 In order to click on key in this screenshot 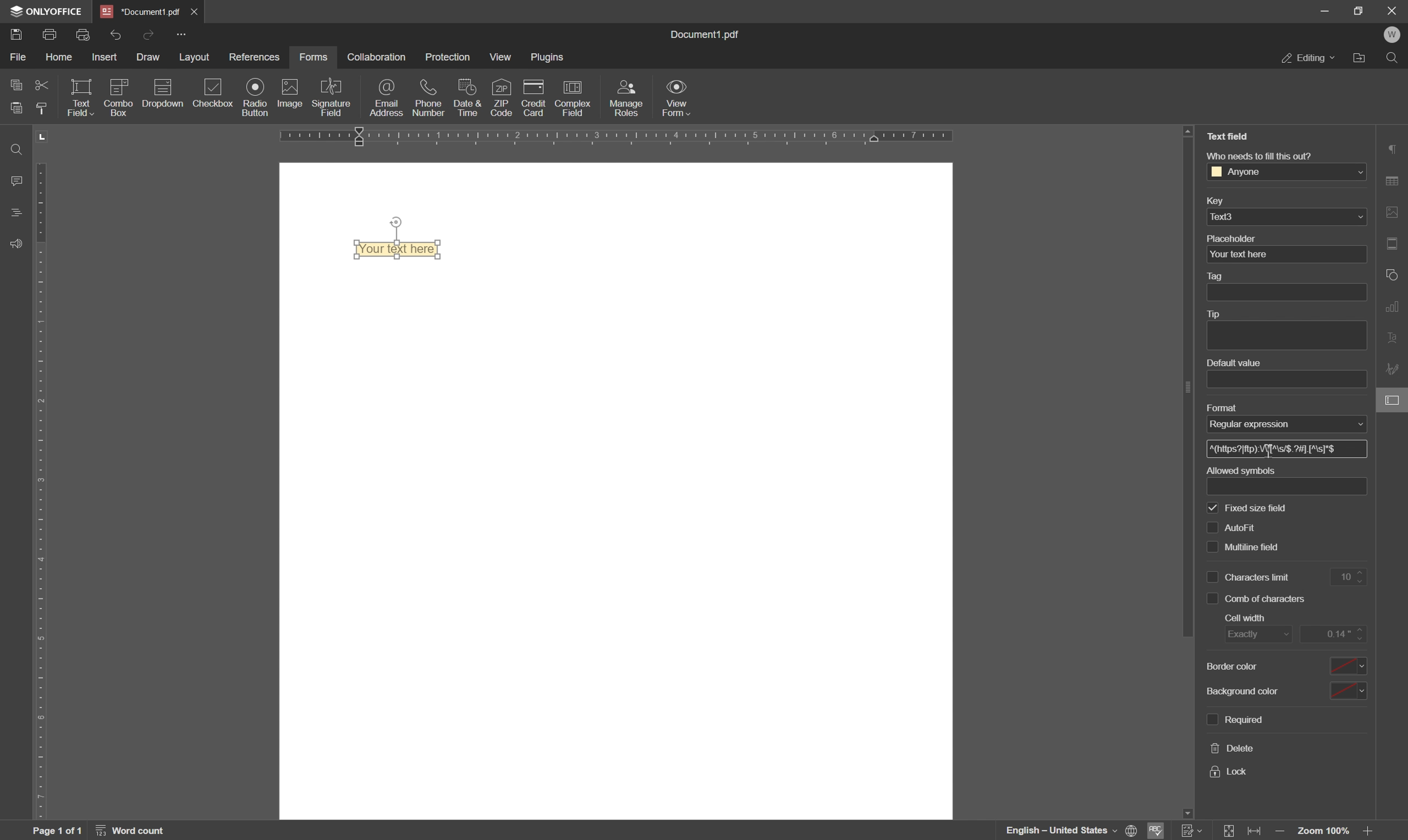, I will do `click(1213, 202)`.